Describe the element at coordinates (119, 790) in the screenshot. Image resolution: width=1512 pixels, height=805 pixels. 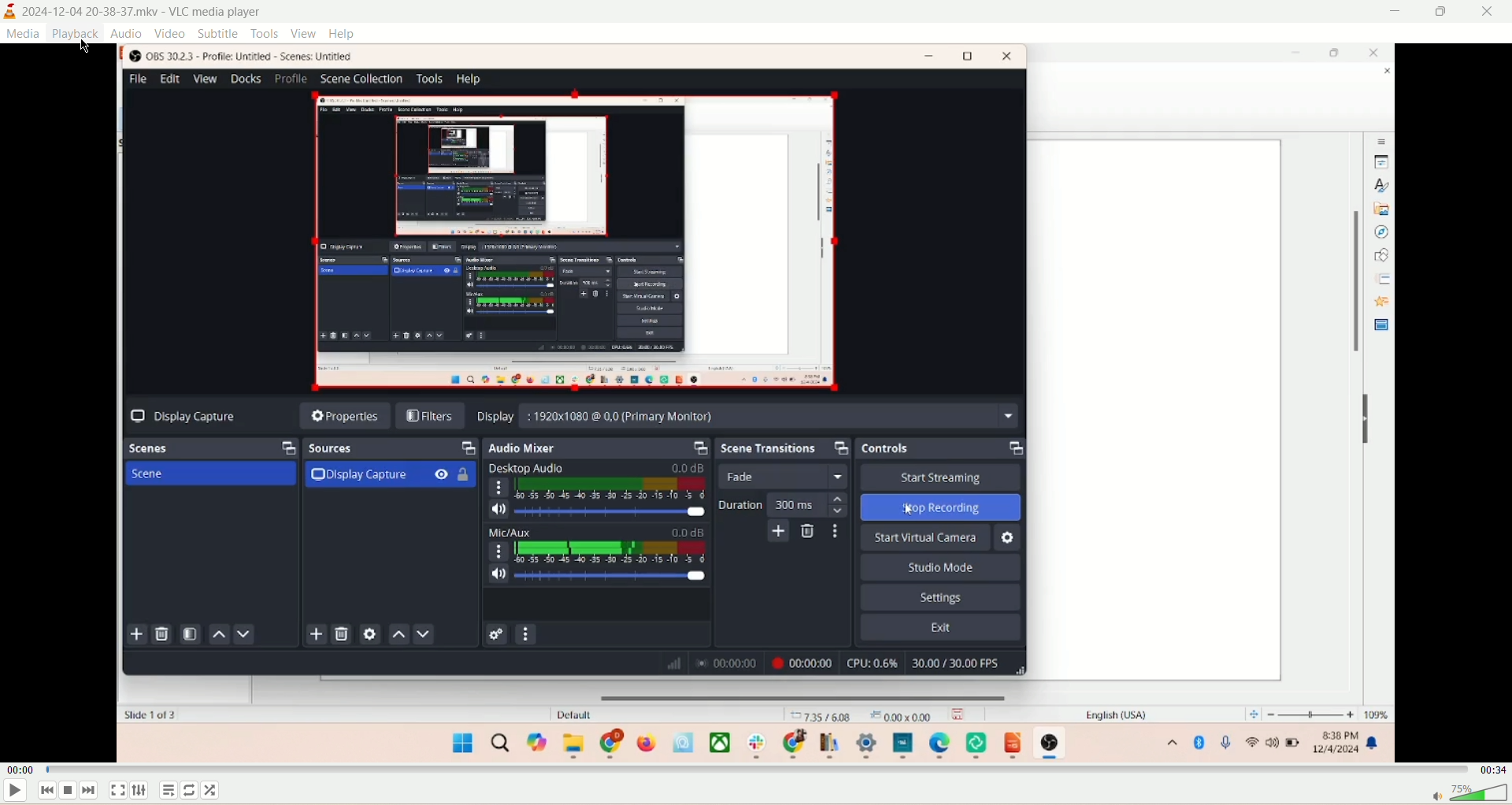
I see `fullscreen` at that location.